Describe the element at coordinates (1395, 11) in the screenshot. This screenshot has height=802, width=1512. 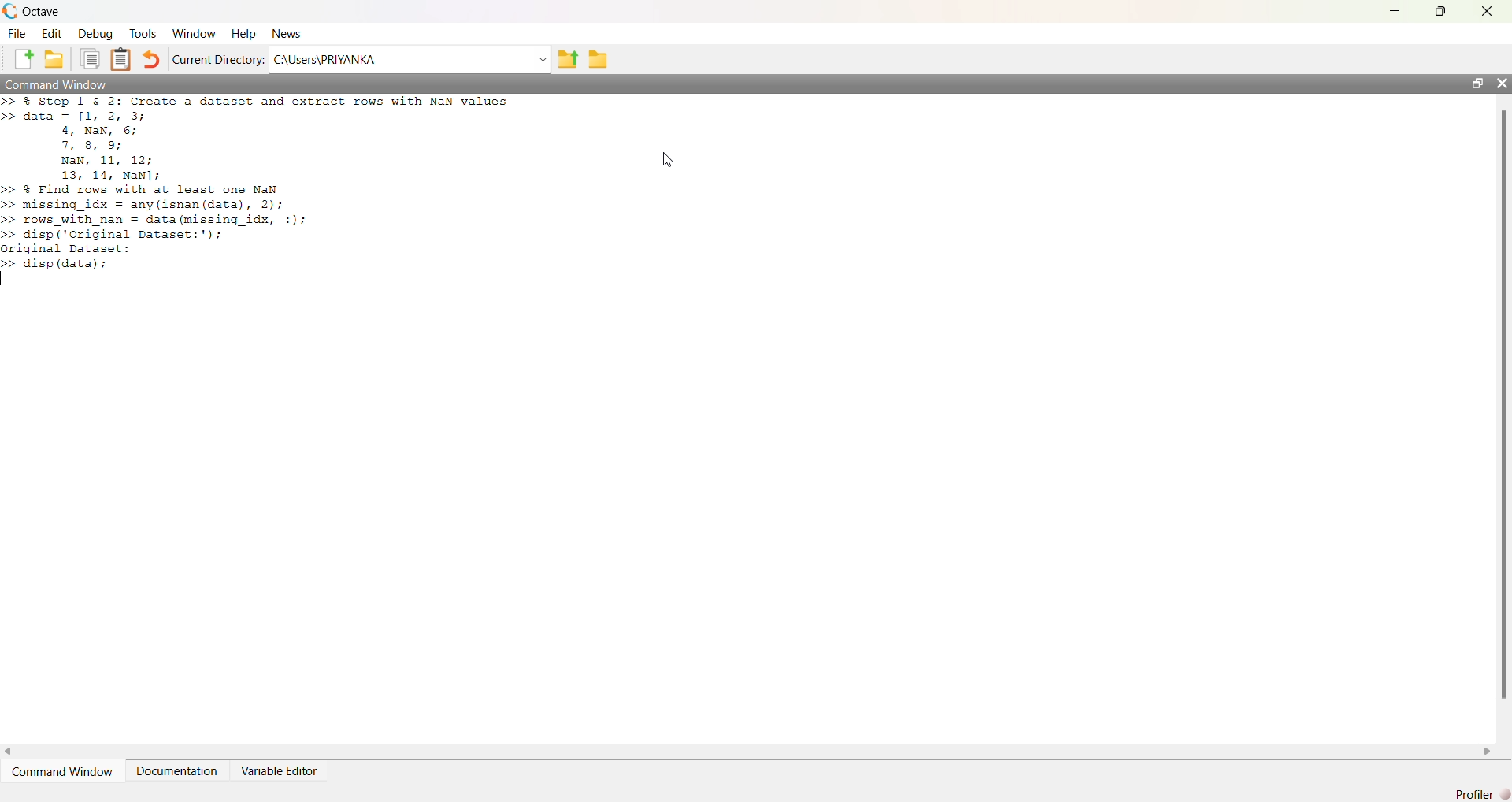
I see `minimize` at that location.